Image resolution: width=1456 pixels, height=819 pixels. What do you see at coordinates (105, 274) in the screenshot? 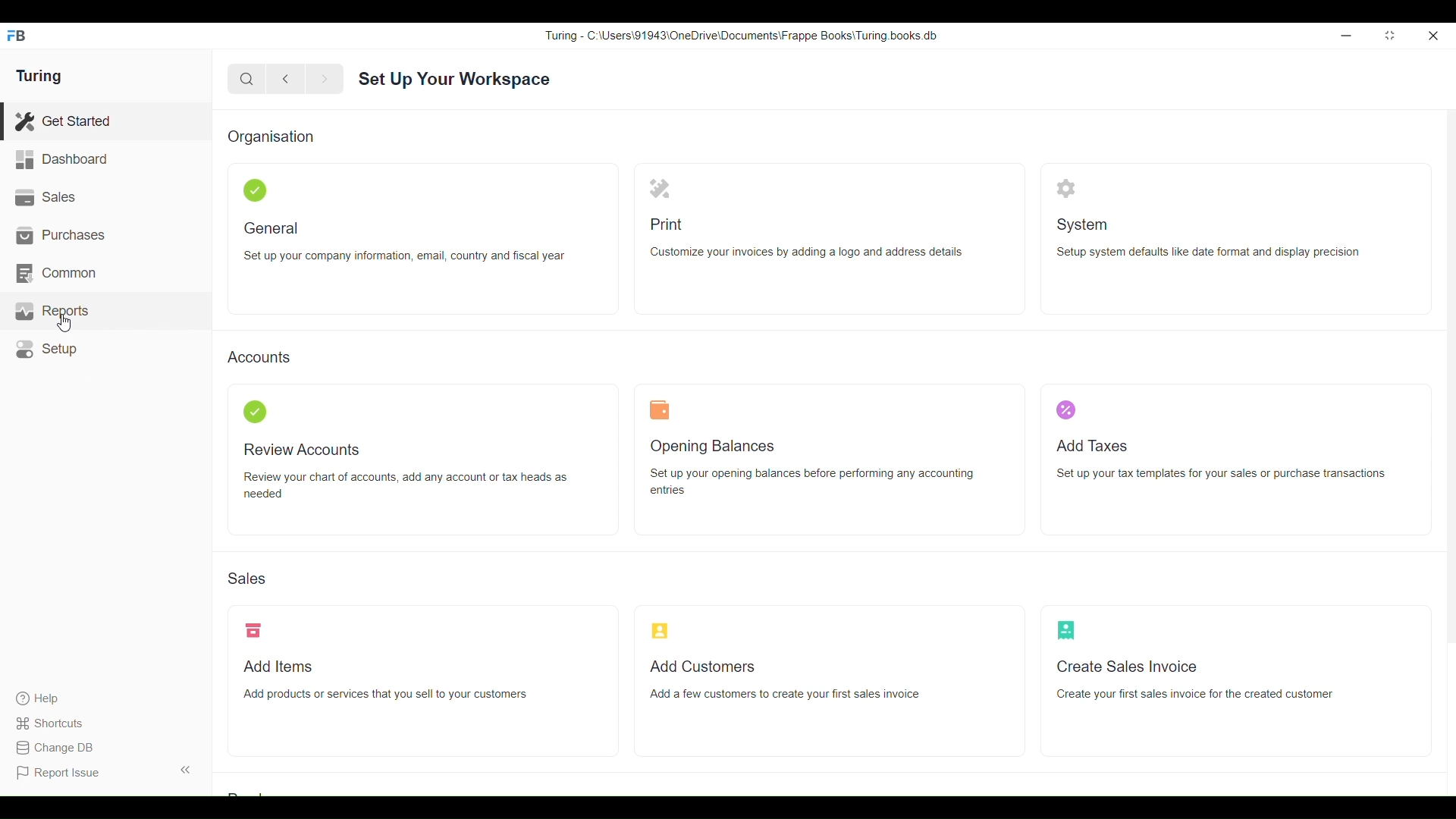
I see `Common` at bounding box center [105, 274].